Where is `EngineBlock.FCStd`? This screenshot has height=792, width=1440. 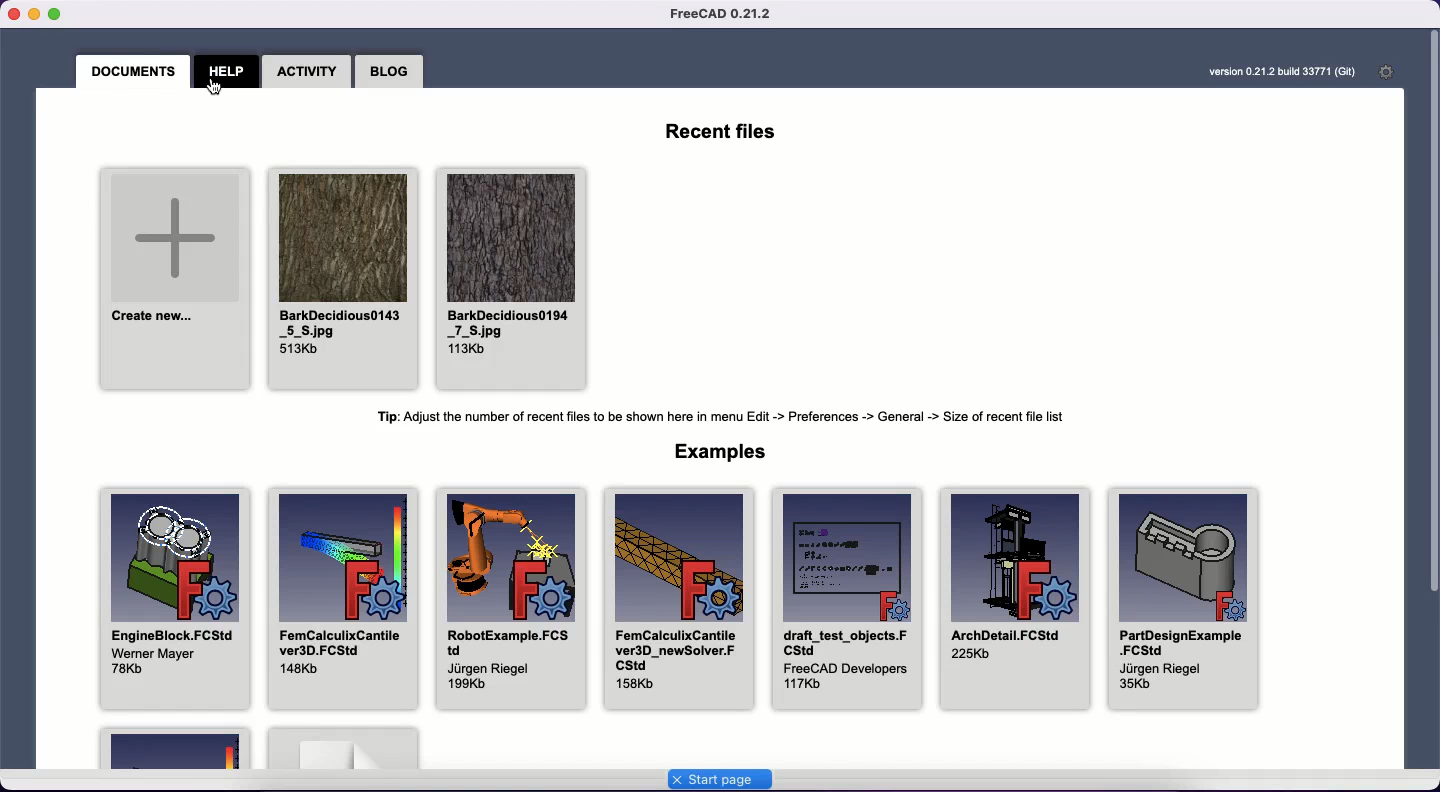
EngineBlock.FCStd is located at coordinates (172, 601).